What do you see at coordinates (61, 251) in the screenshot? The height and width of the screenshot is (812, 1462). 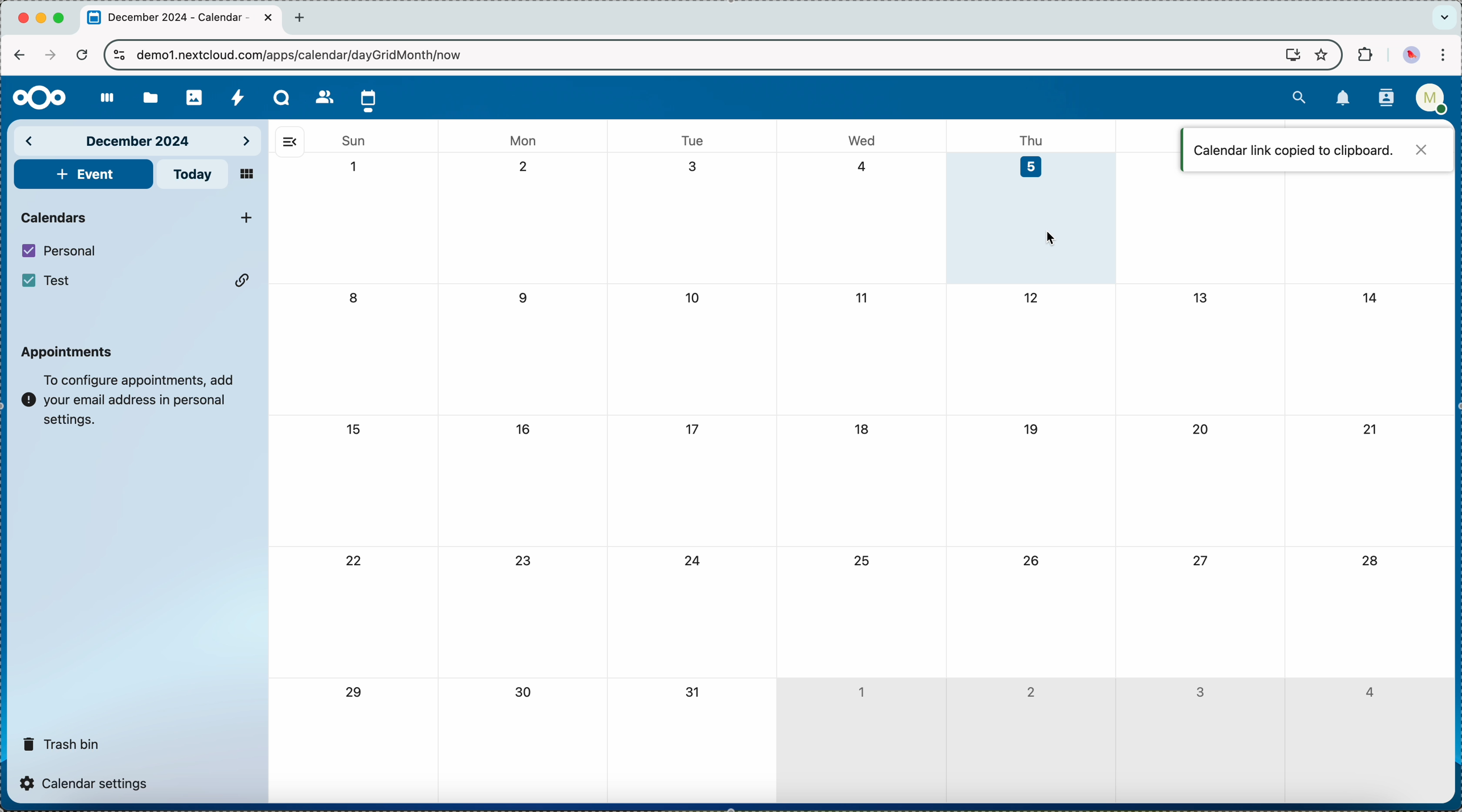 I see `personal` at bounding box center [61, 251].